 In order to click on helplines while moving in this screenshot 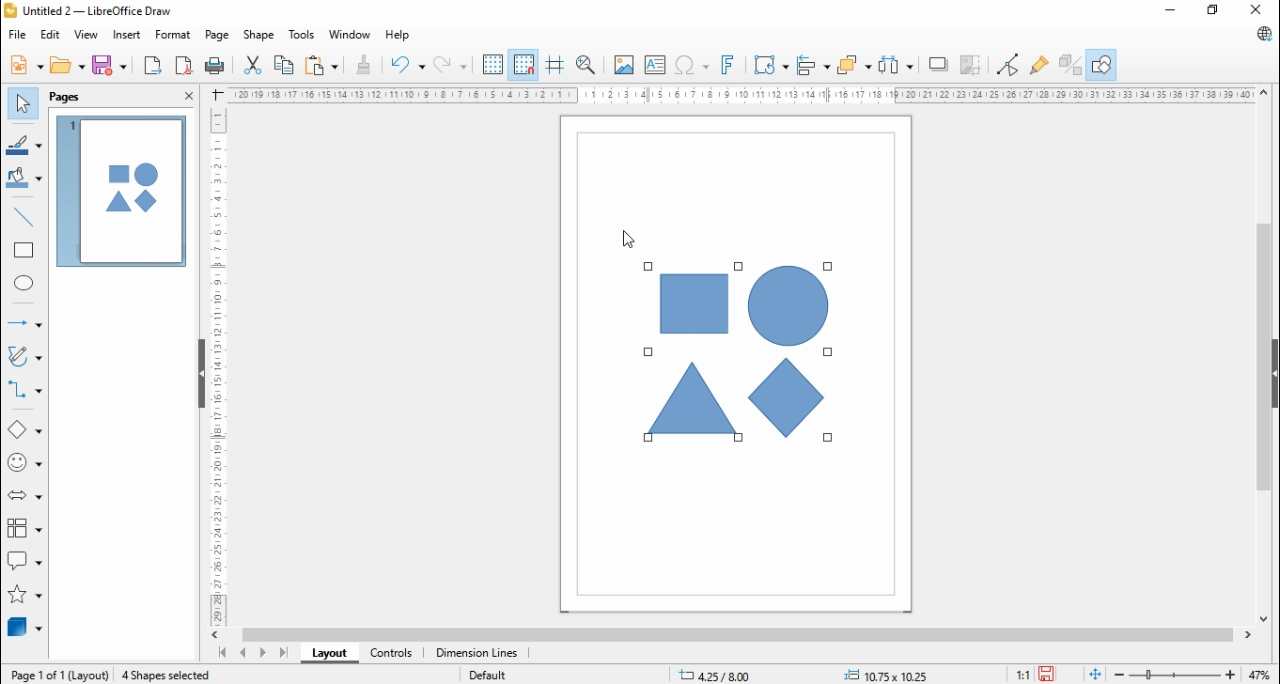, I will do `click(554, 64)`.